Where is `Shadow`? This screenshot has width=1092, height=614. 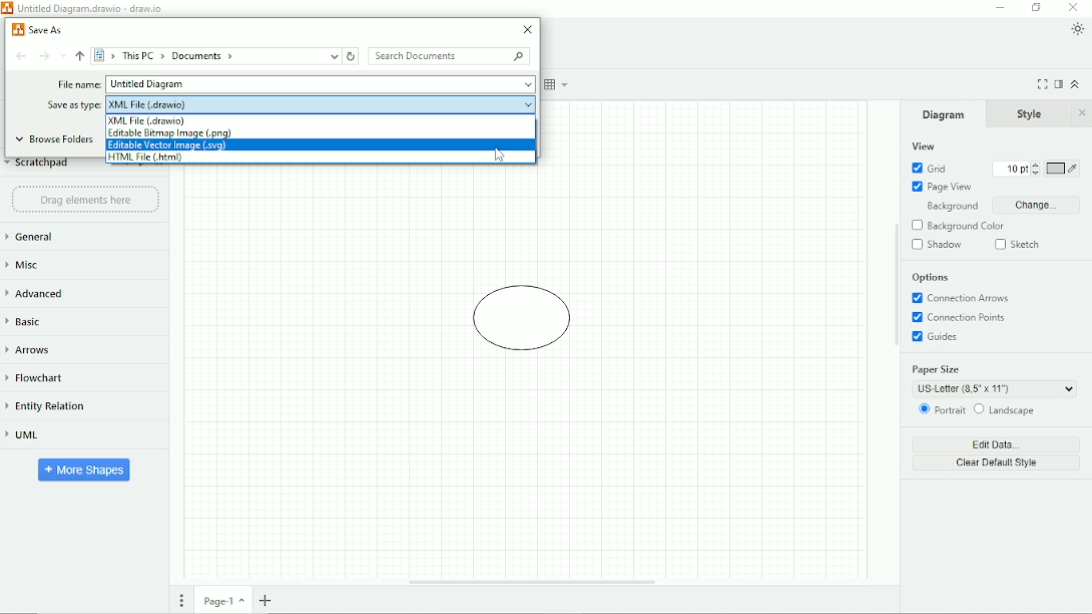 Shadow is located at coordinates (938, 245).